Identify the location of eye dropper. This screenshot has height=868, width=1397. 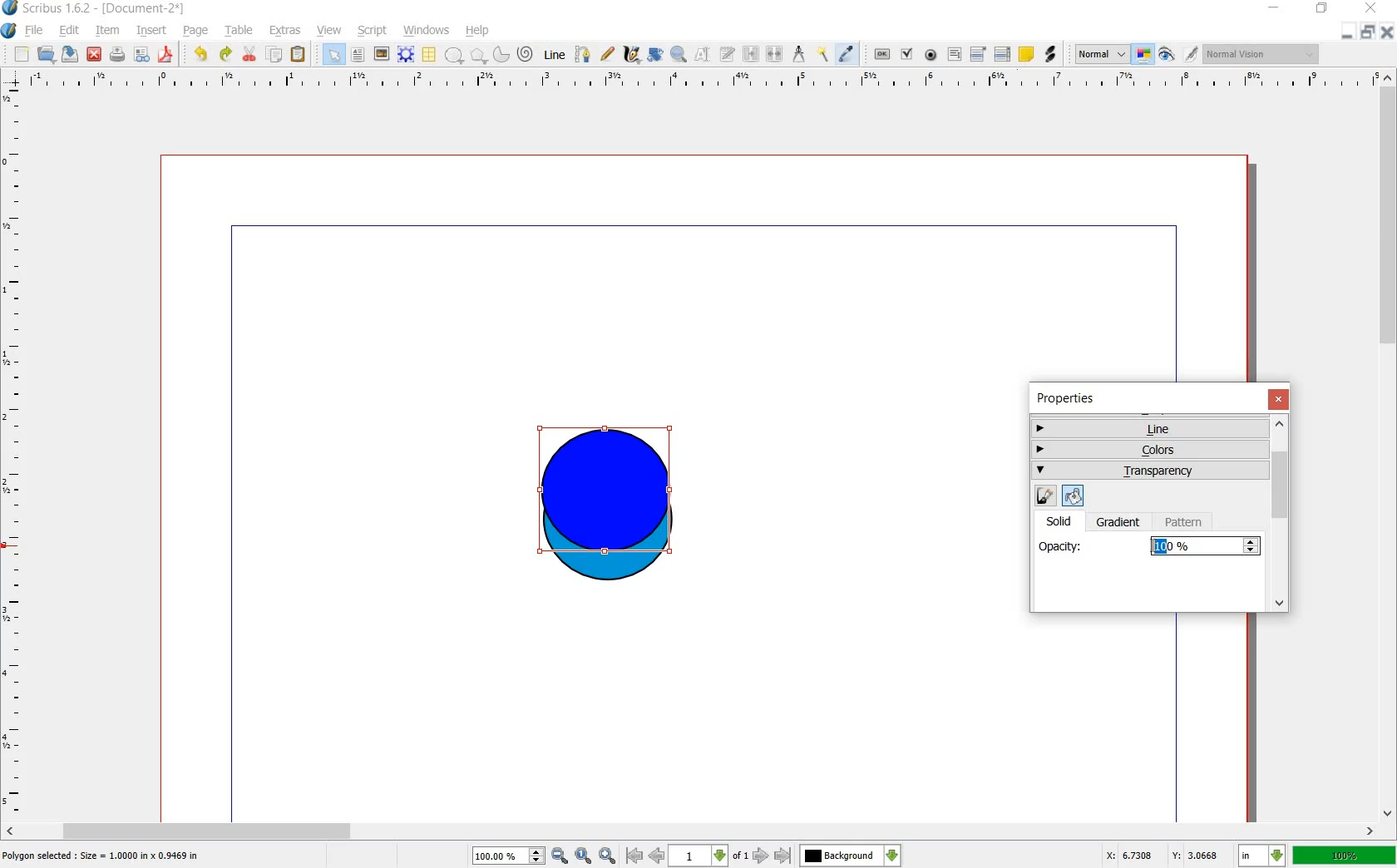
(846, 54).